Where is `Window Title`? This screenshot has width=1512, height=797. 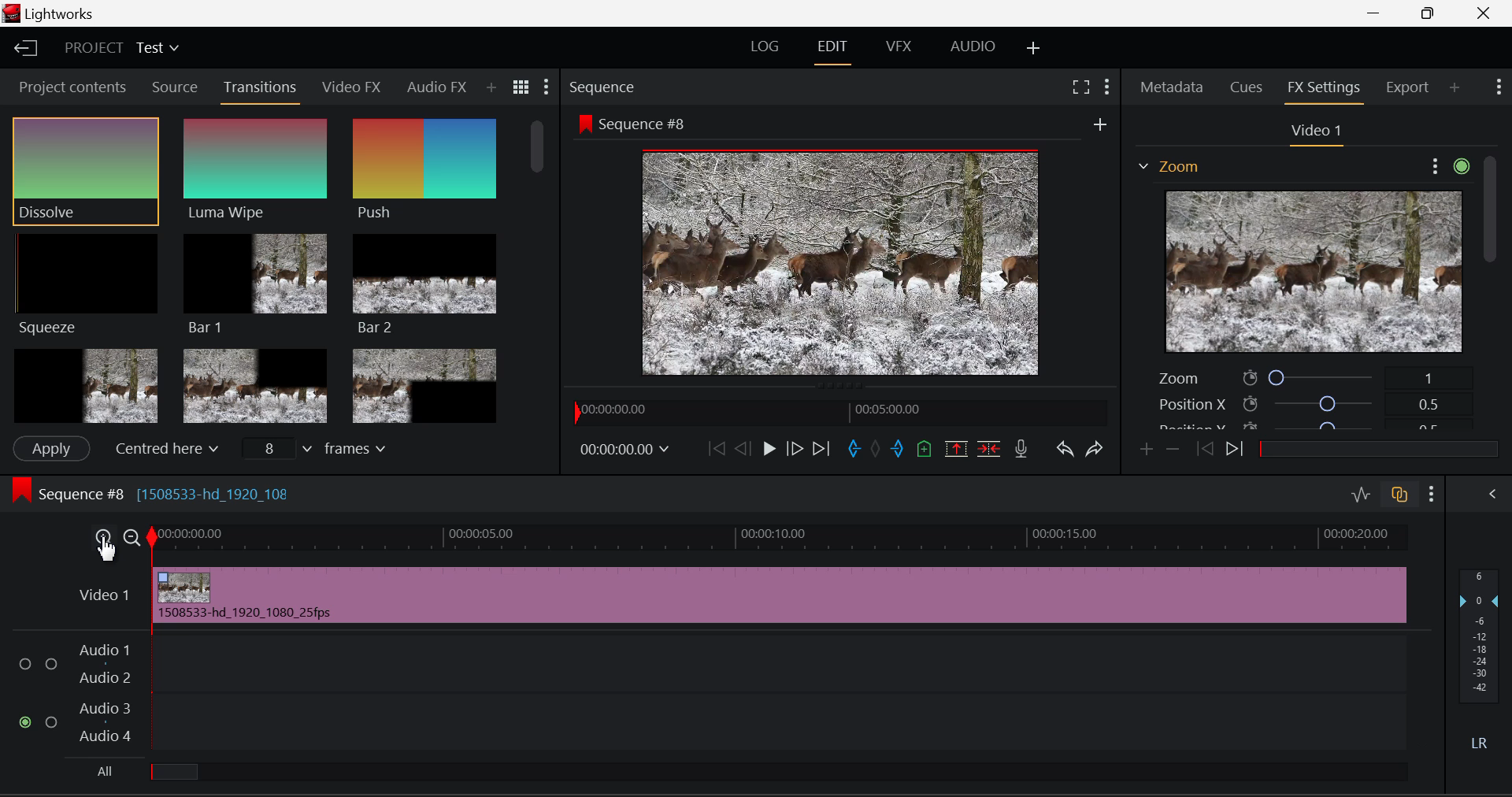
Window Title is located at coordinates (51, 13).